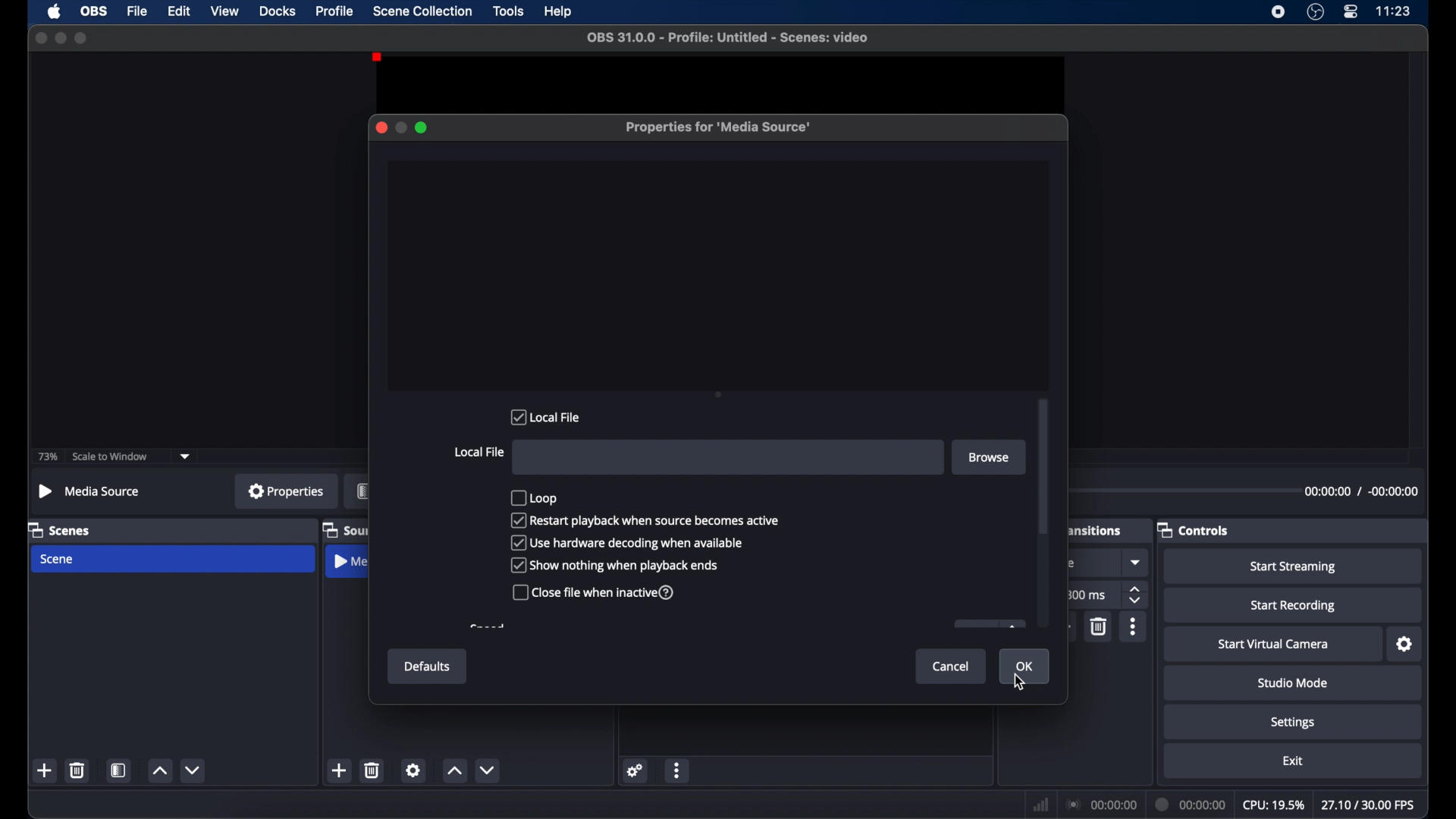 This screenshot has height=819, width=1456. Describe the element at coordinates (1273, 645) in the screenshot. I see `start virtual camera` at that location.